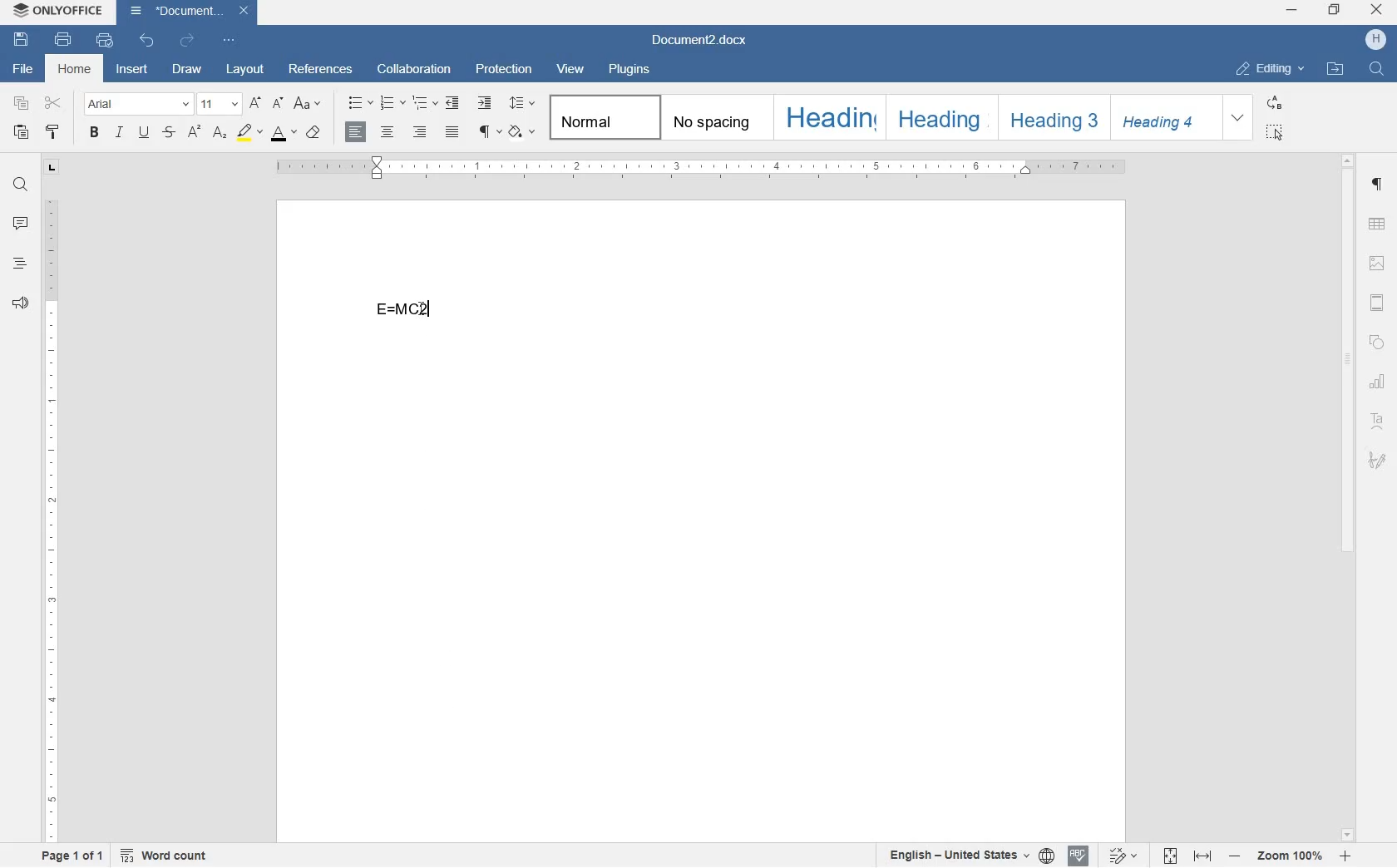  I want to click on subscript, so click(219, 133).